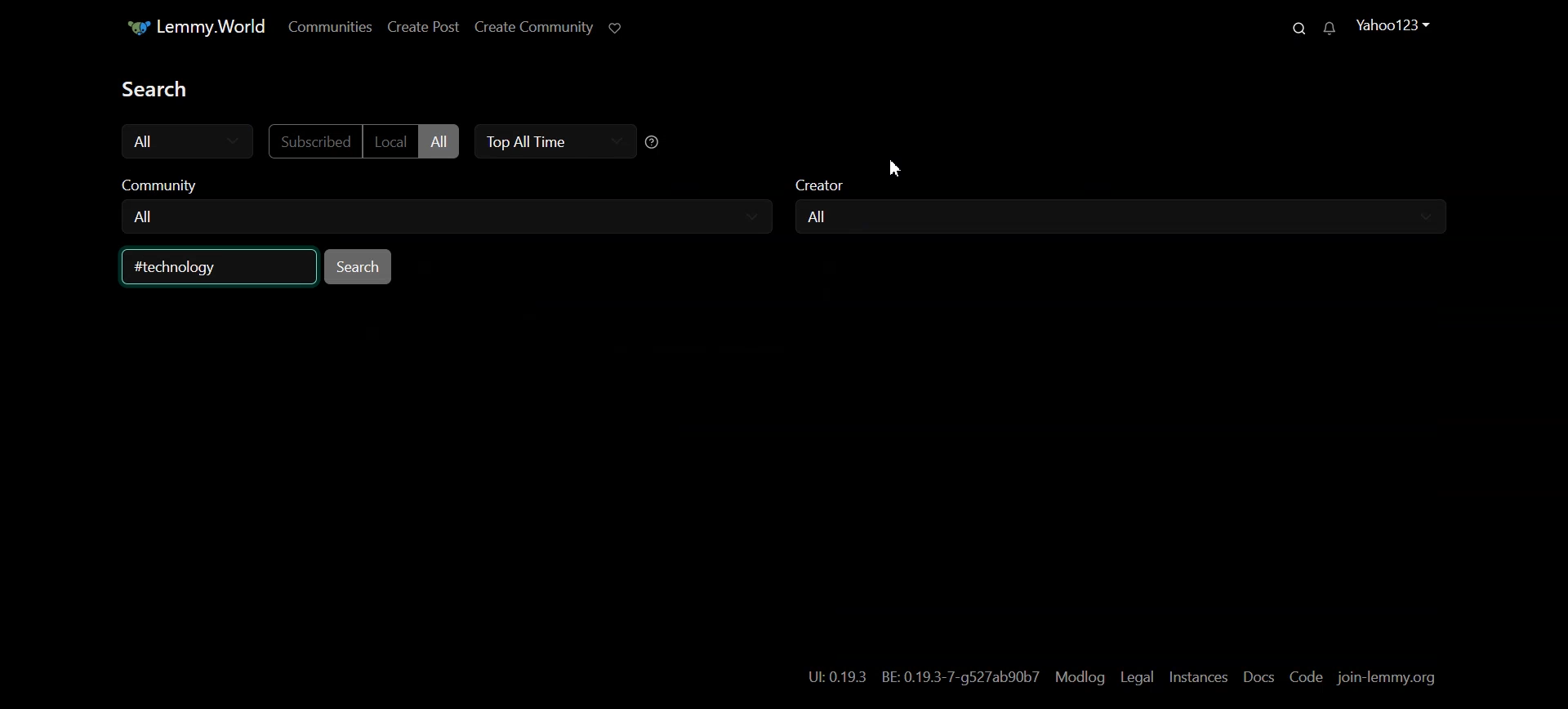 This screenshot has height=709, width=1568. What do you see at coordinates (1199, 679) in the screenshot?
I see `Instances` at bounding box center [1199, 679].